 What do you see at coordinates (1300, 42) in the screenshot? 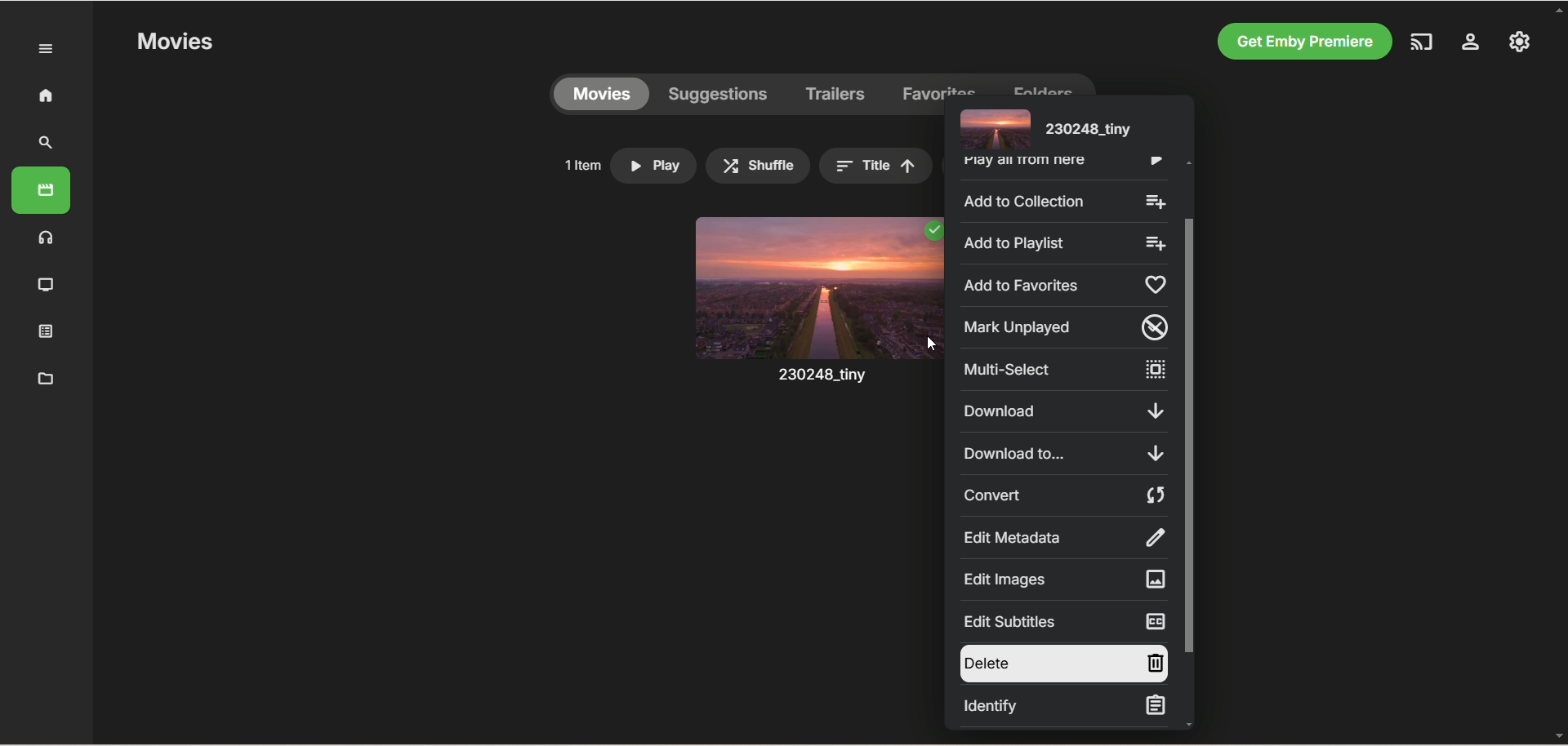
I see `get emby premiere` at bounding box center [1300, 42].